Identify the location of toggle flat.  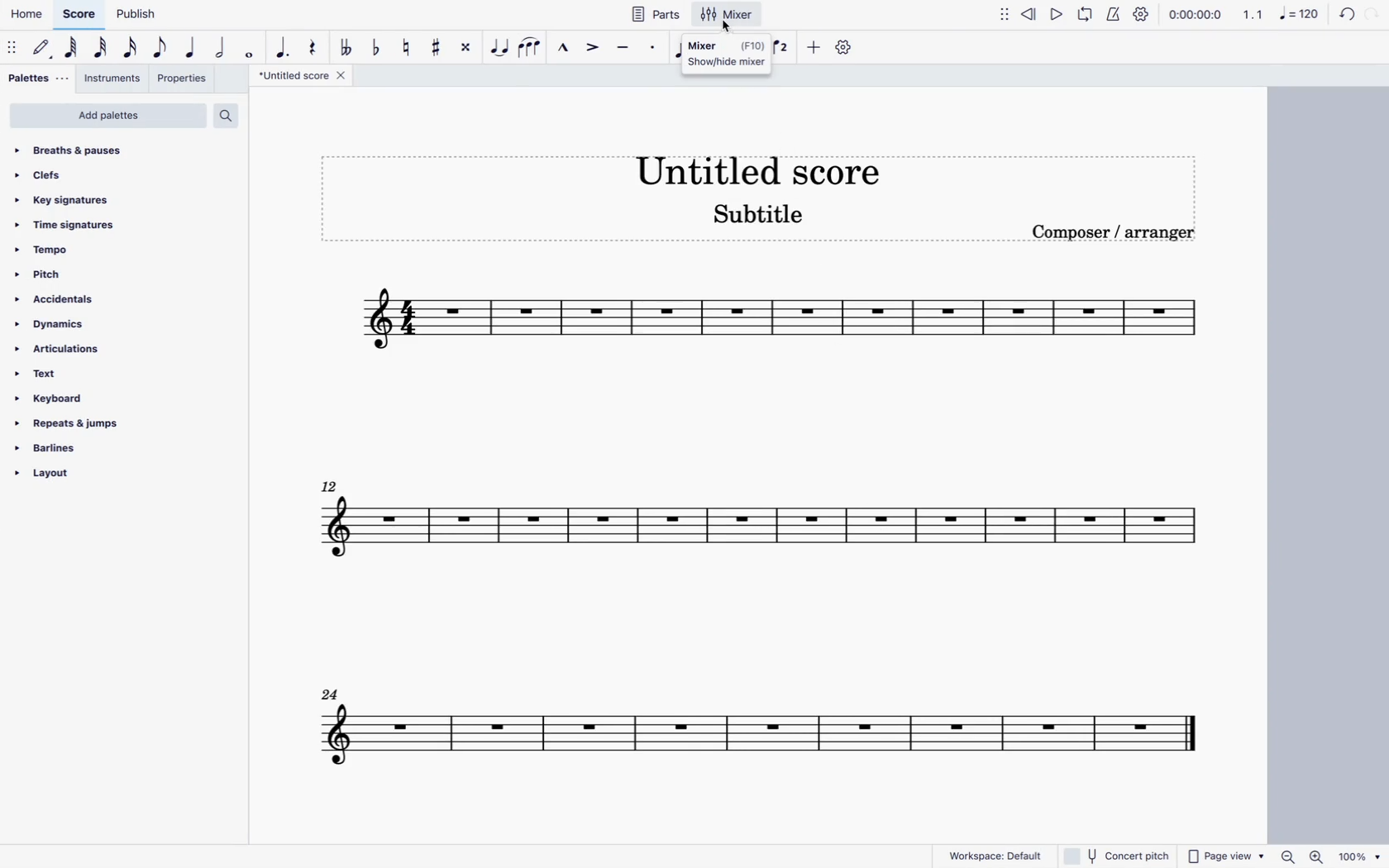
(376, 46).